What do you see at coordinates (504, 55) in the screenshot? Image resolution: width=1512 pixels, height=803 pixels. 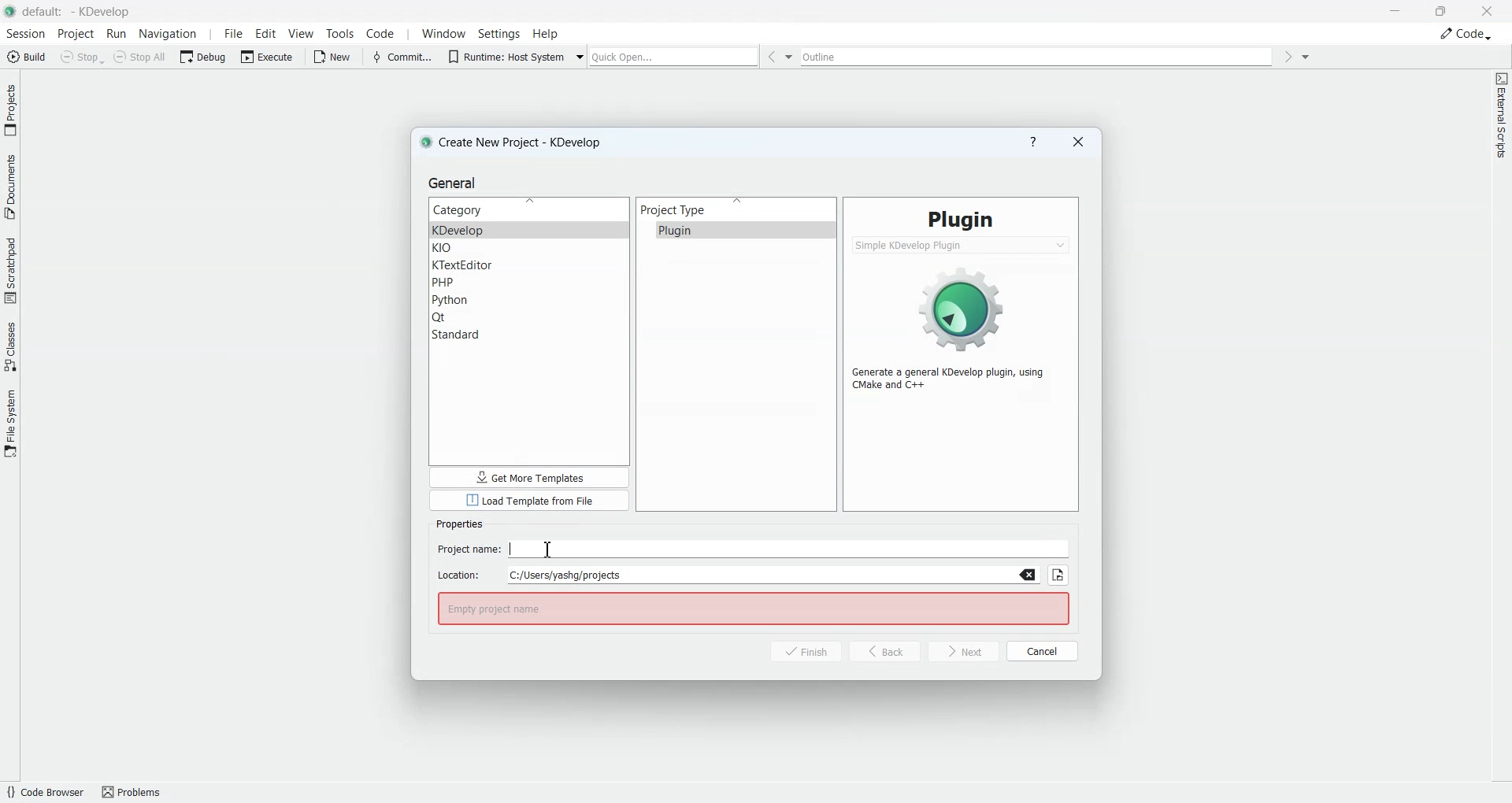 I see `Runtime: Host System` at bounding box center [504, 55].